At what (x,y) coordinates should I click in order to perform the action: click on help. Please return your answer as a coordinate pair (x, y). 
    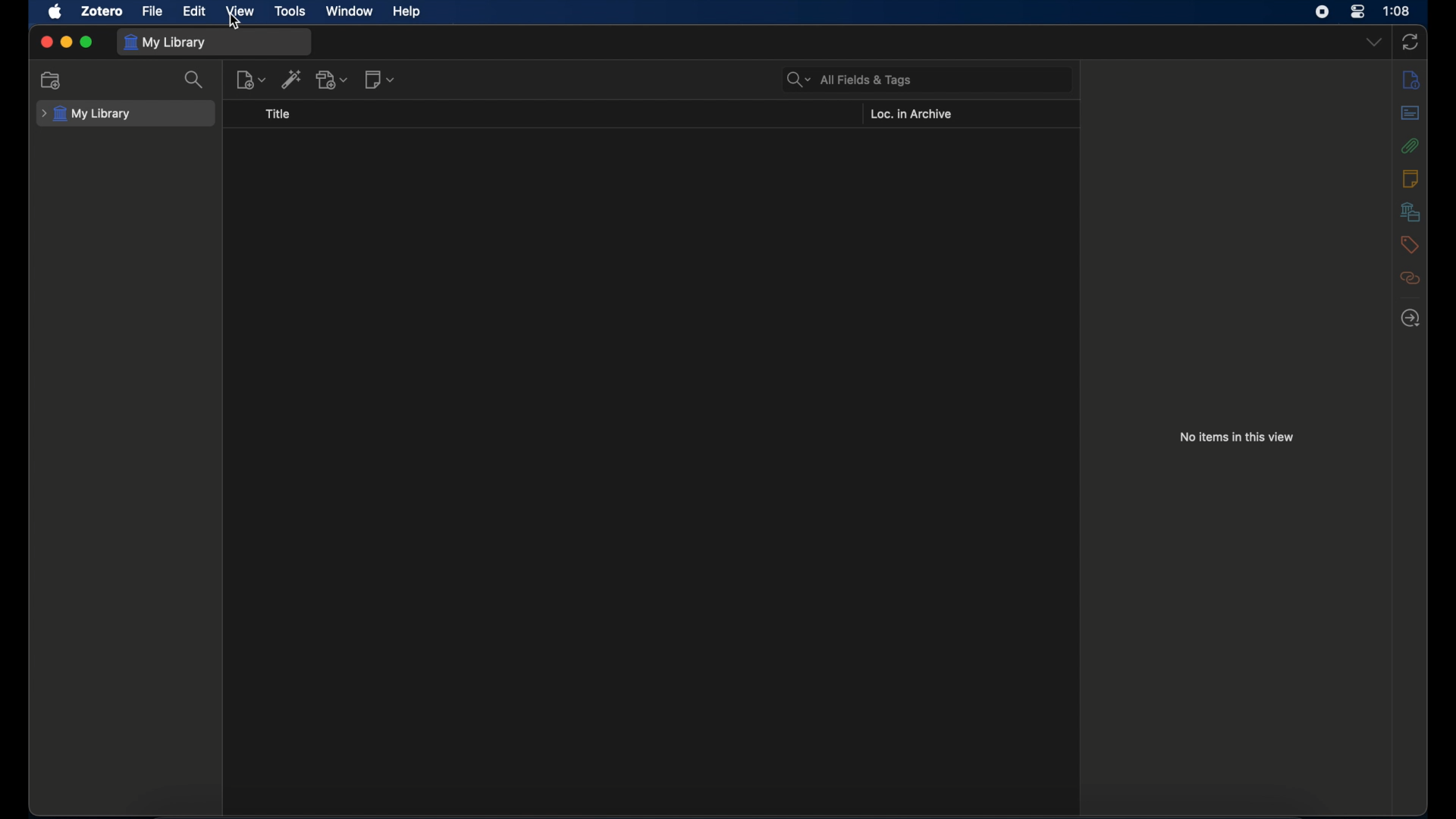
    Looking at the image, I should click on (406, 12).